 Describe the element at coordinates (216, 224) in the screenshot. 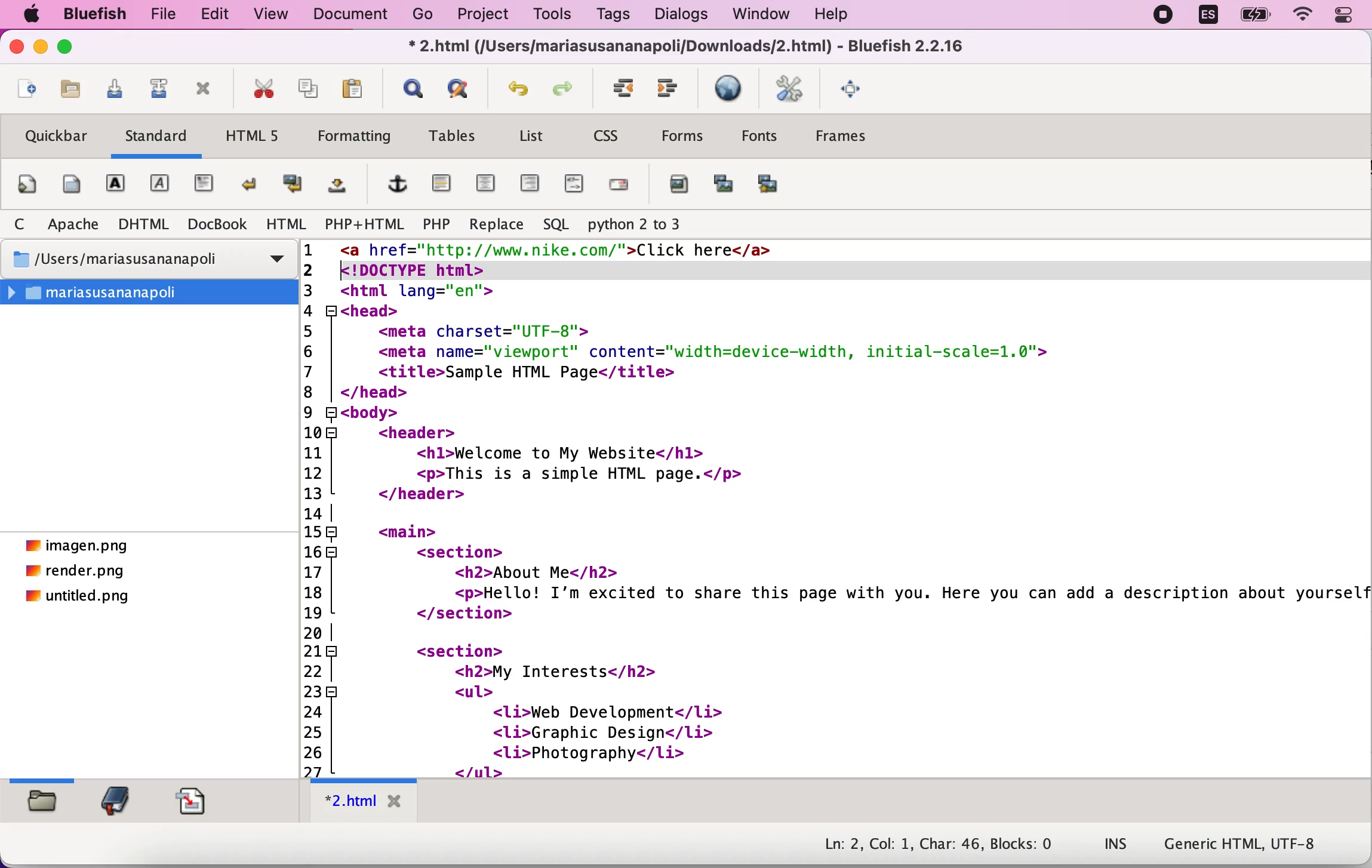

I see `DocBook` at that location.